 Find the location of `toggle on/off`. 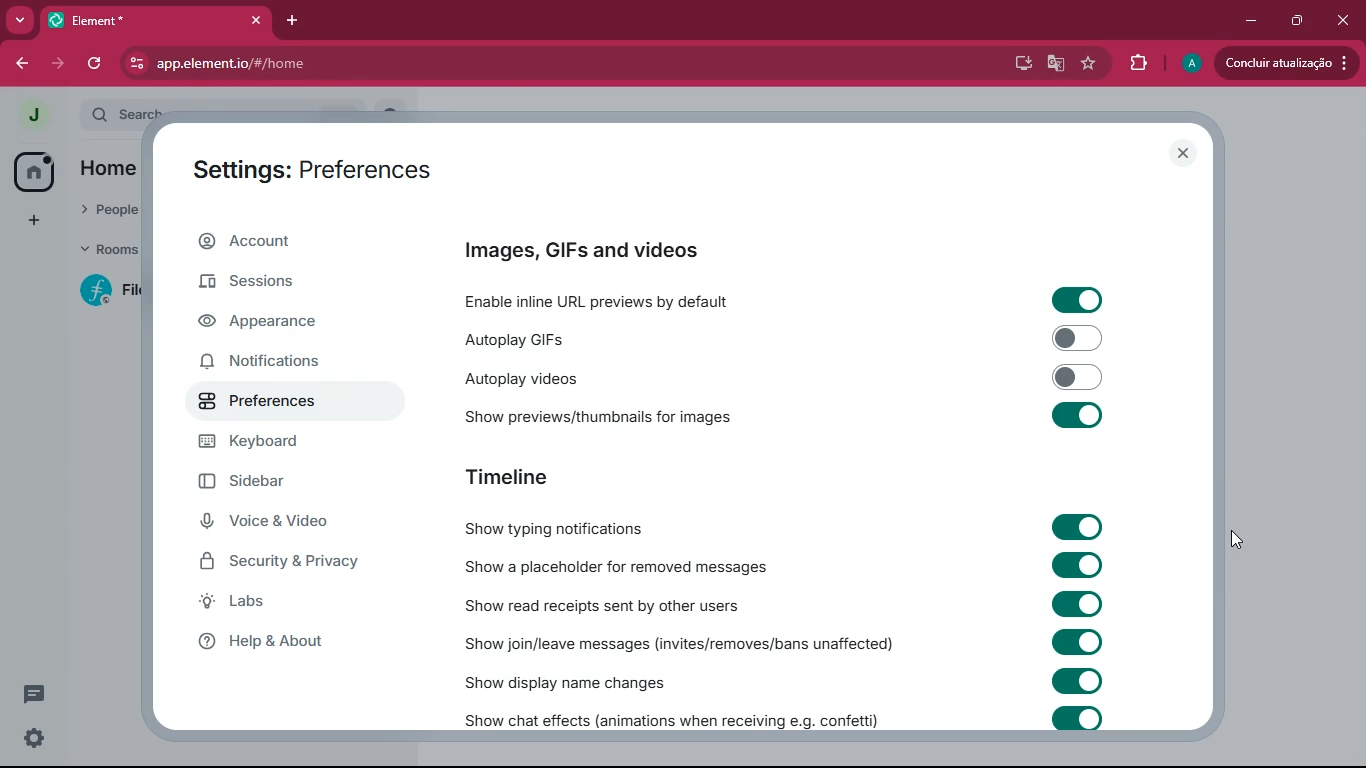

toggle on/off is located at coordinates (1077, 338).